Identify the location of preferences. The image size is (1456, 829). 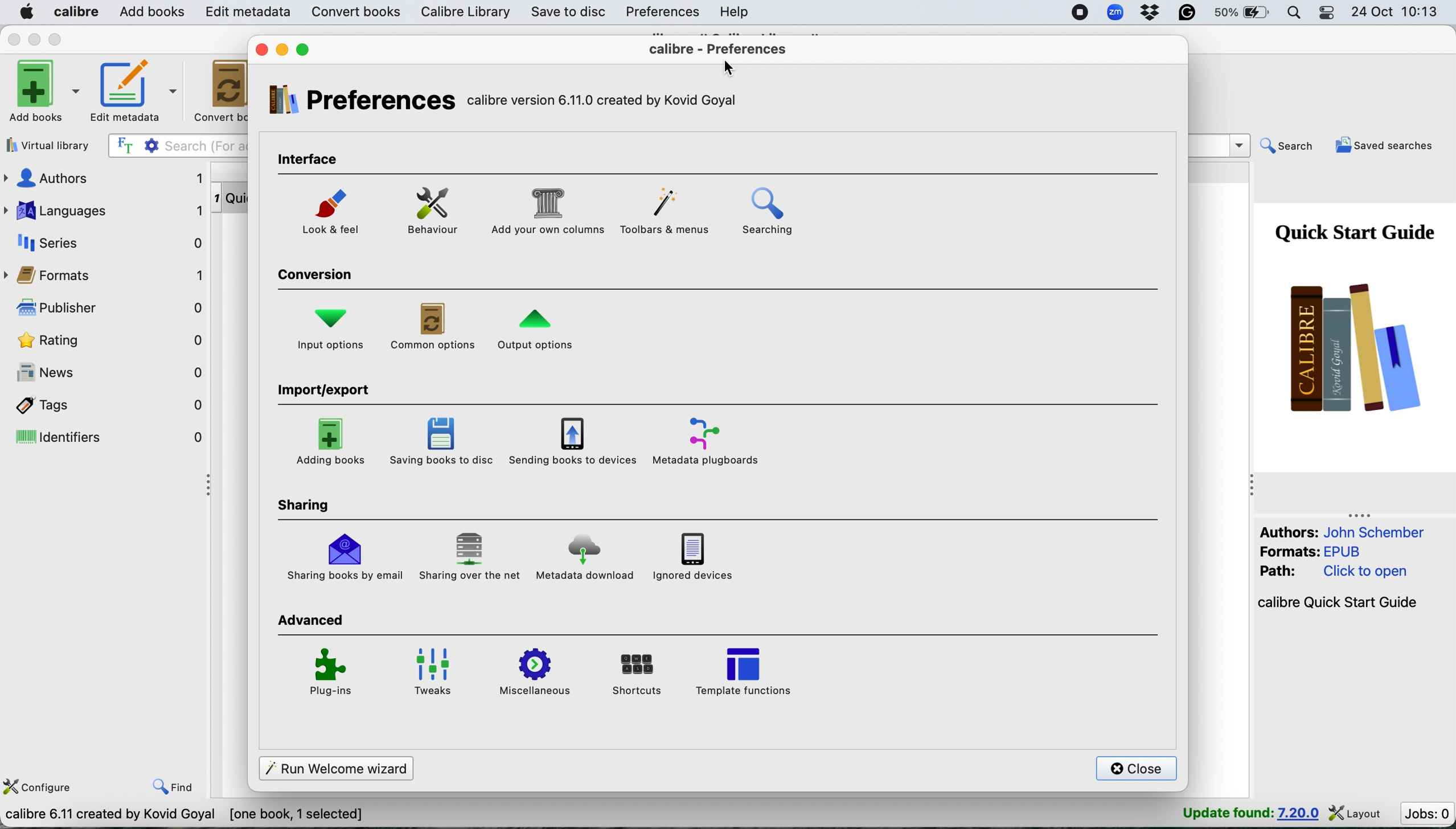
(360, 102).